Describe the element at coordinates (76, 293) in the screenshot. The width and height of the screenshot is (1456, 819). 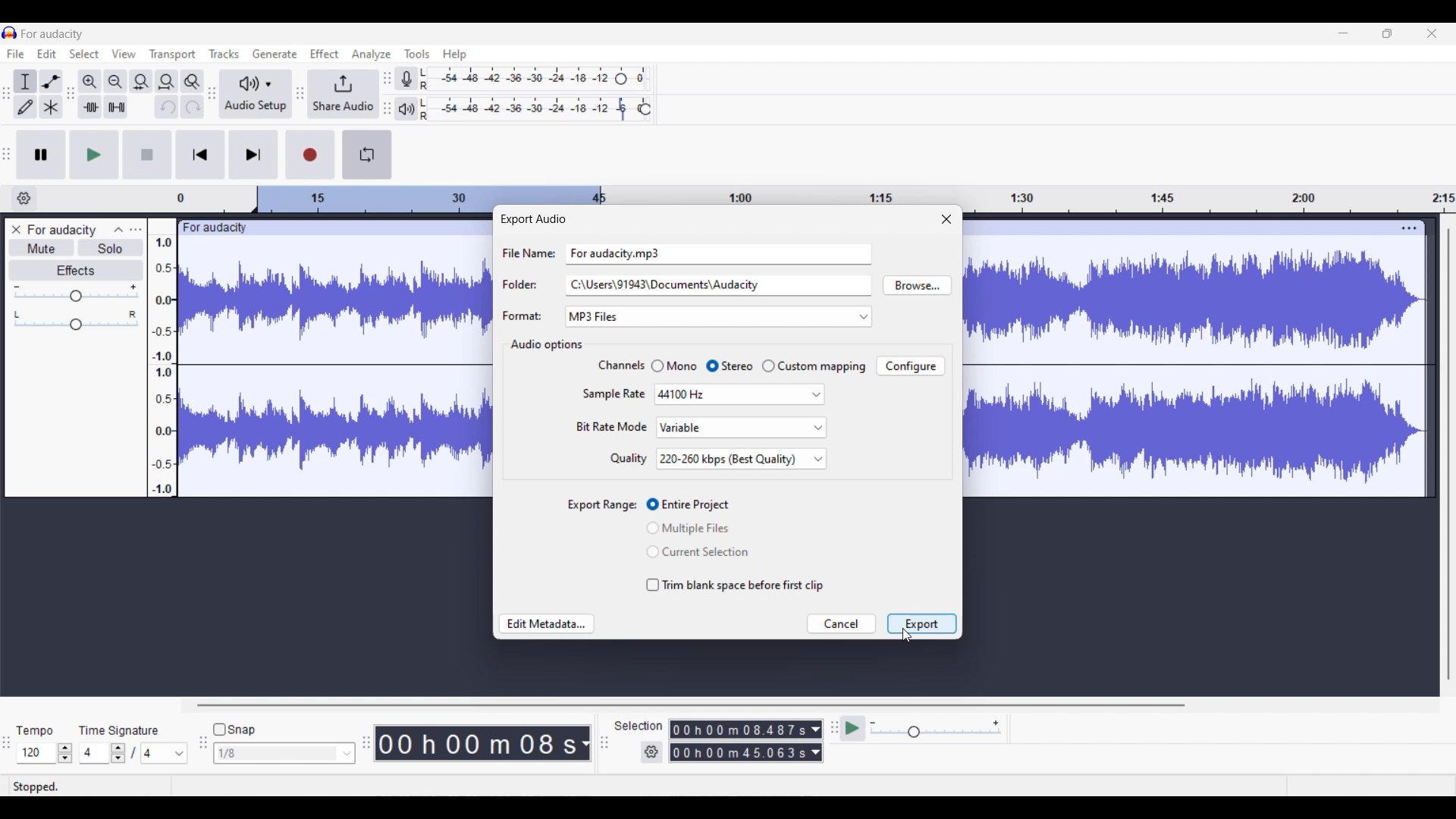
I see `Volume scale` at that location.